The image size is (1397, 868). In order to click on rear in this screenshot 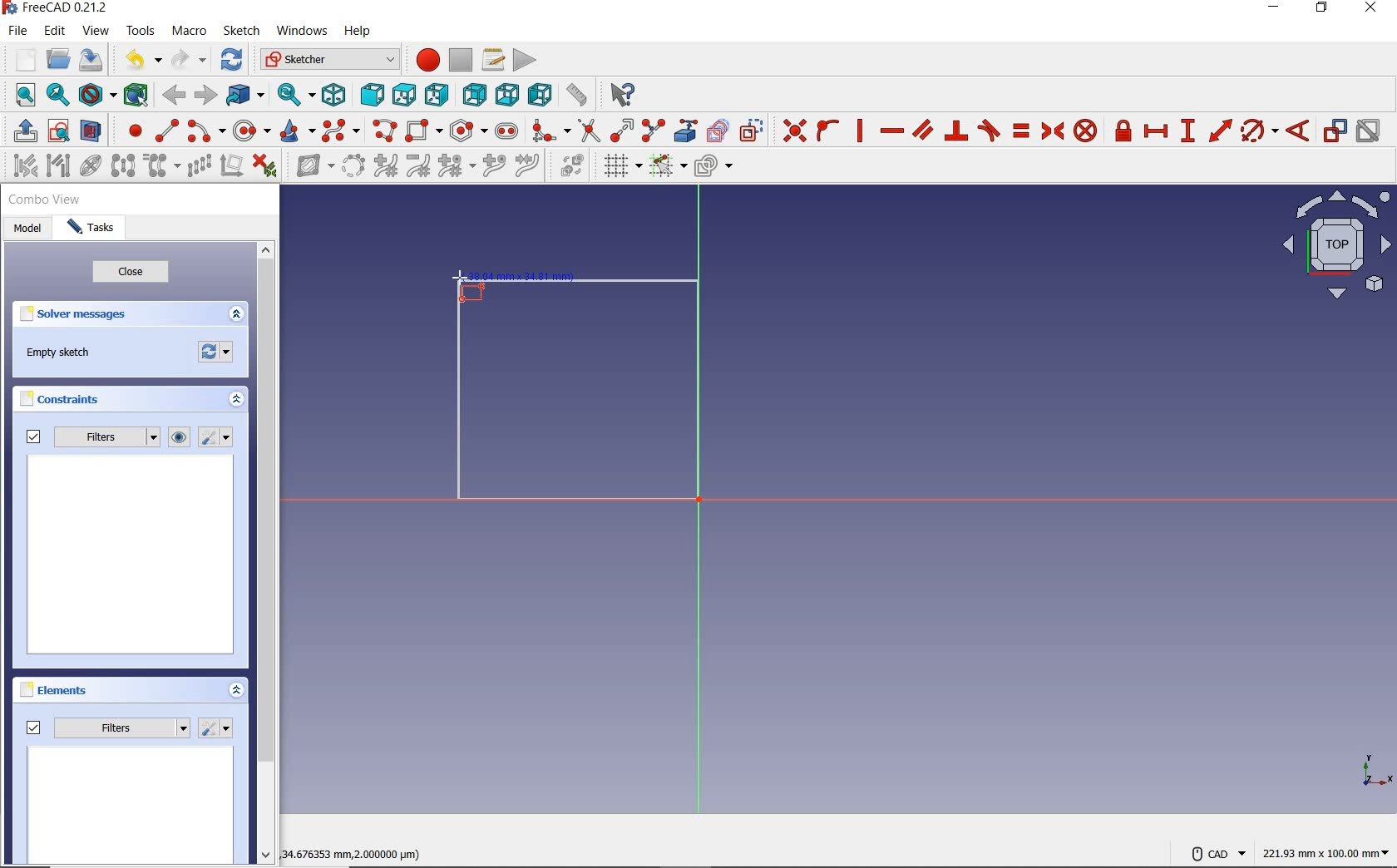, I will do `click(475, 94)`.